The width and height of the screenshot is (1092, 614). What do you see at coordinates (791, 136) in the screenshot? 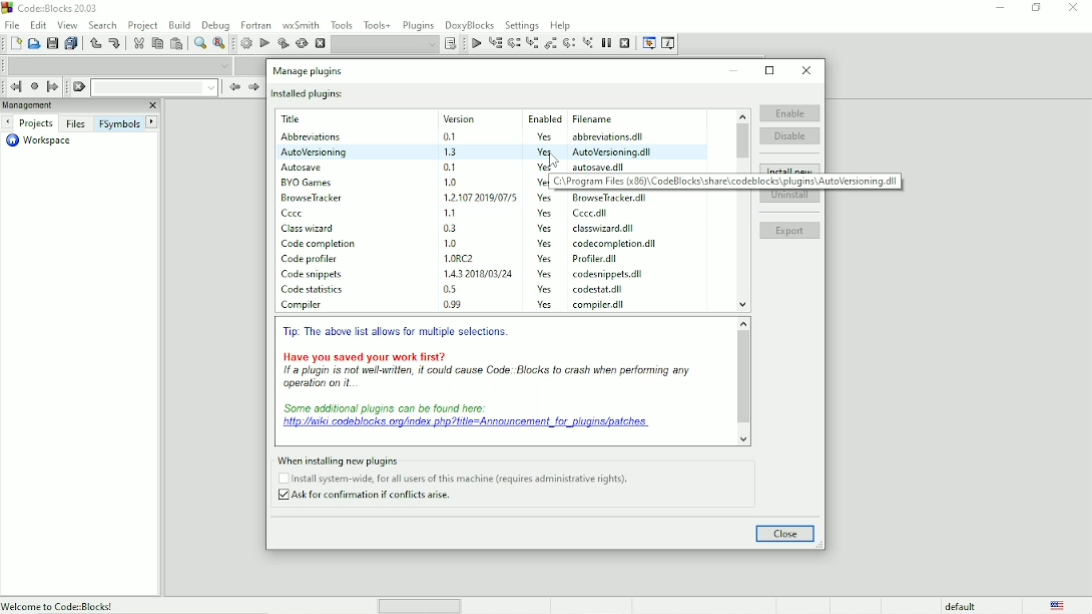
I see `Disable` at bounding box center [791, 136].